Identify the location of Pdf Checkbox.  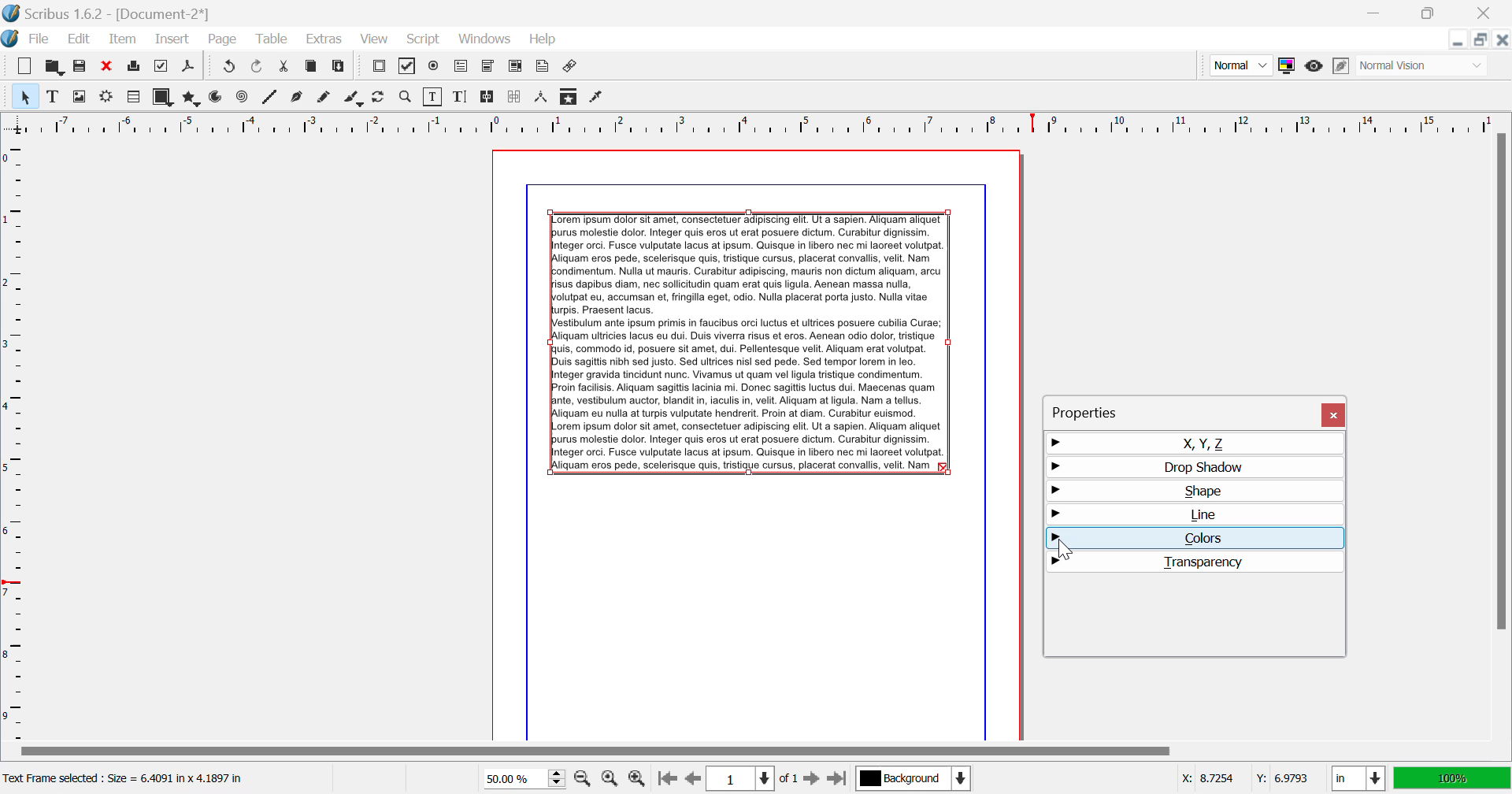
(408, 69).